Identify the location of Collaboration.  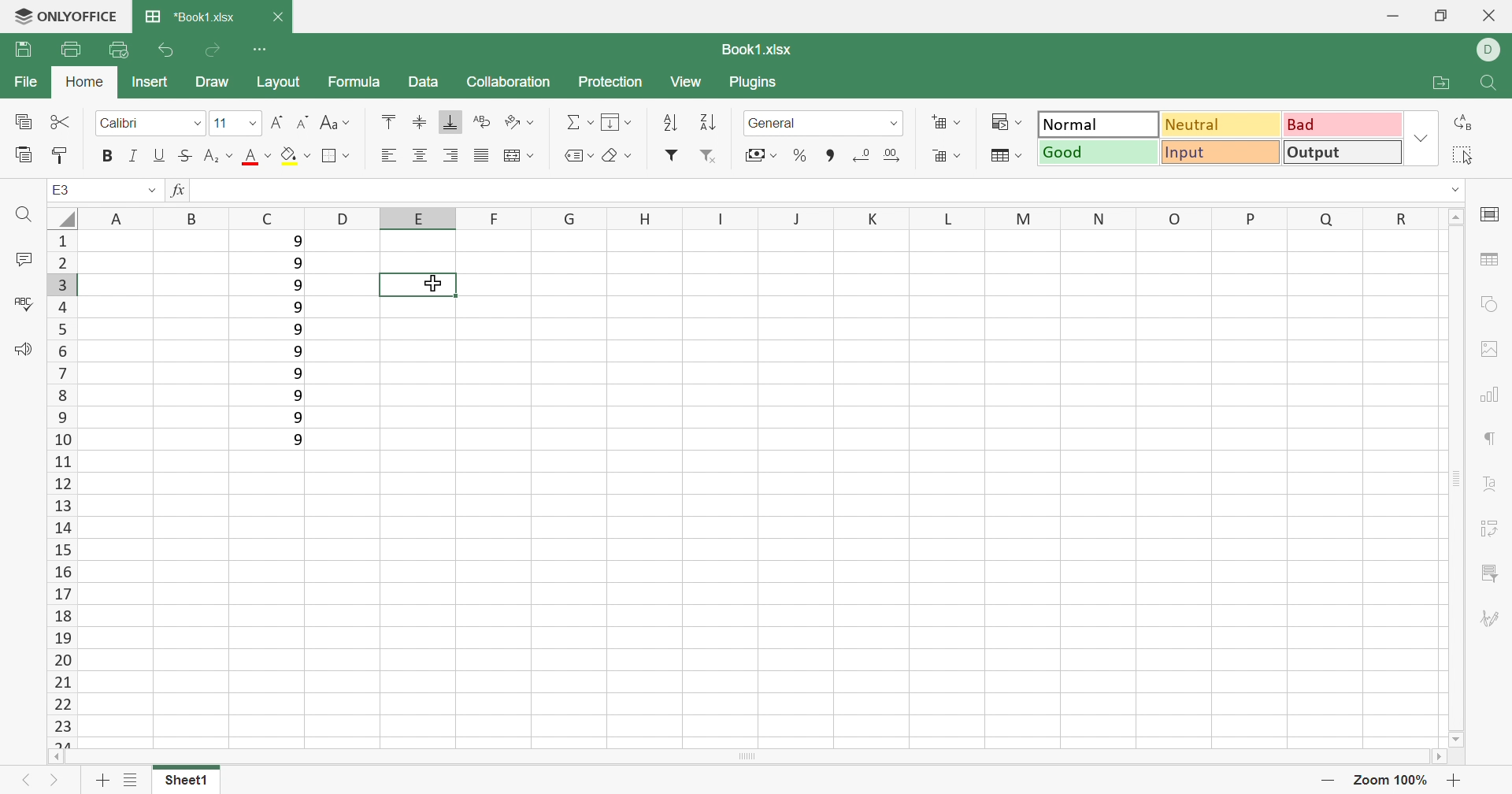
(511, 85).